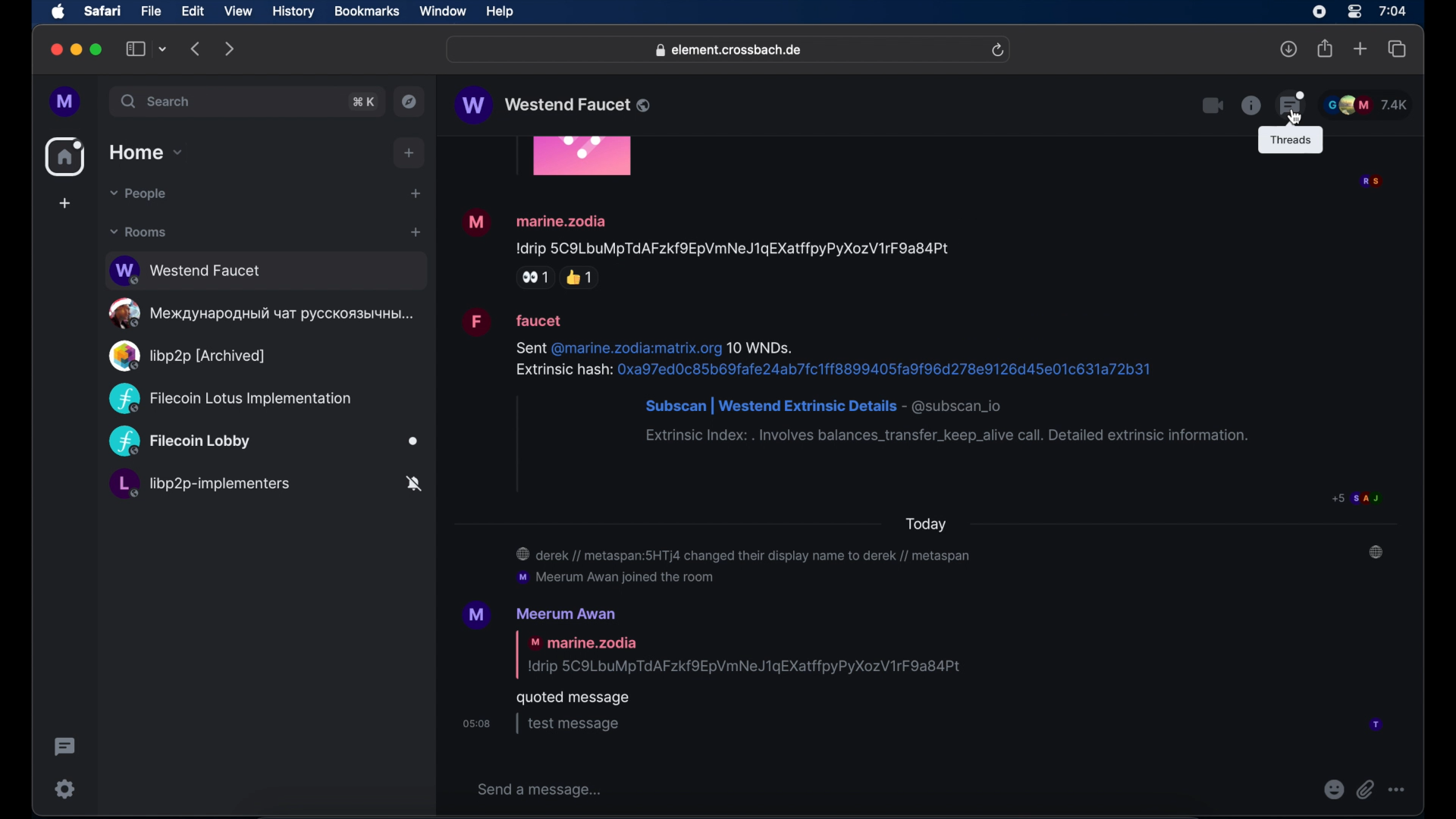 The width and height of the screenshot is (1456, 819). What do you see at coordinates (479, 221) in the screenshot?
I see `` at bounding box center [479, 221].